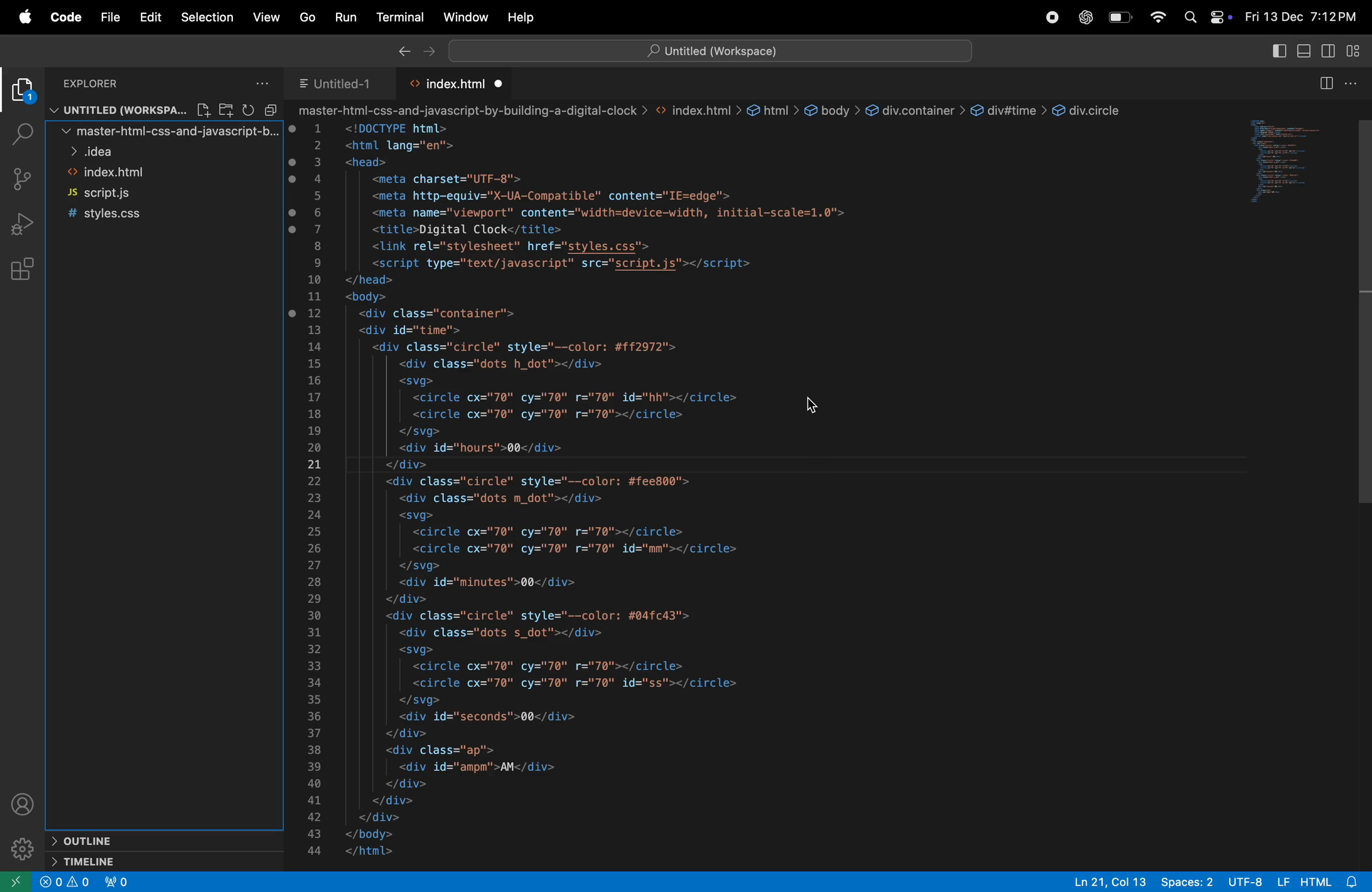 The image size is (1372, 892). What do you see at coordinates (524, 14) in the screenshot?
I see `Help` at bounding box center [524, 14].